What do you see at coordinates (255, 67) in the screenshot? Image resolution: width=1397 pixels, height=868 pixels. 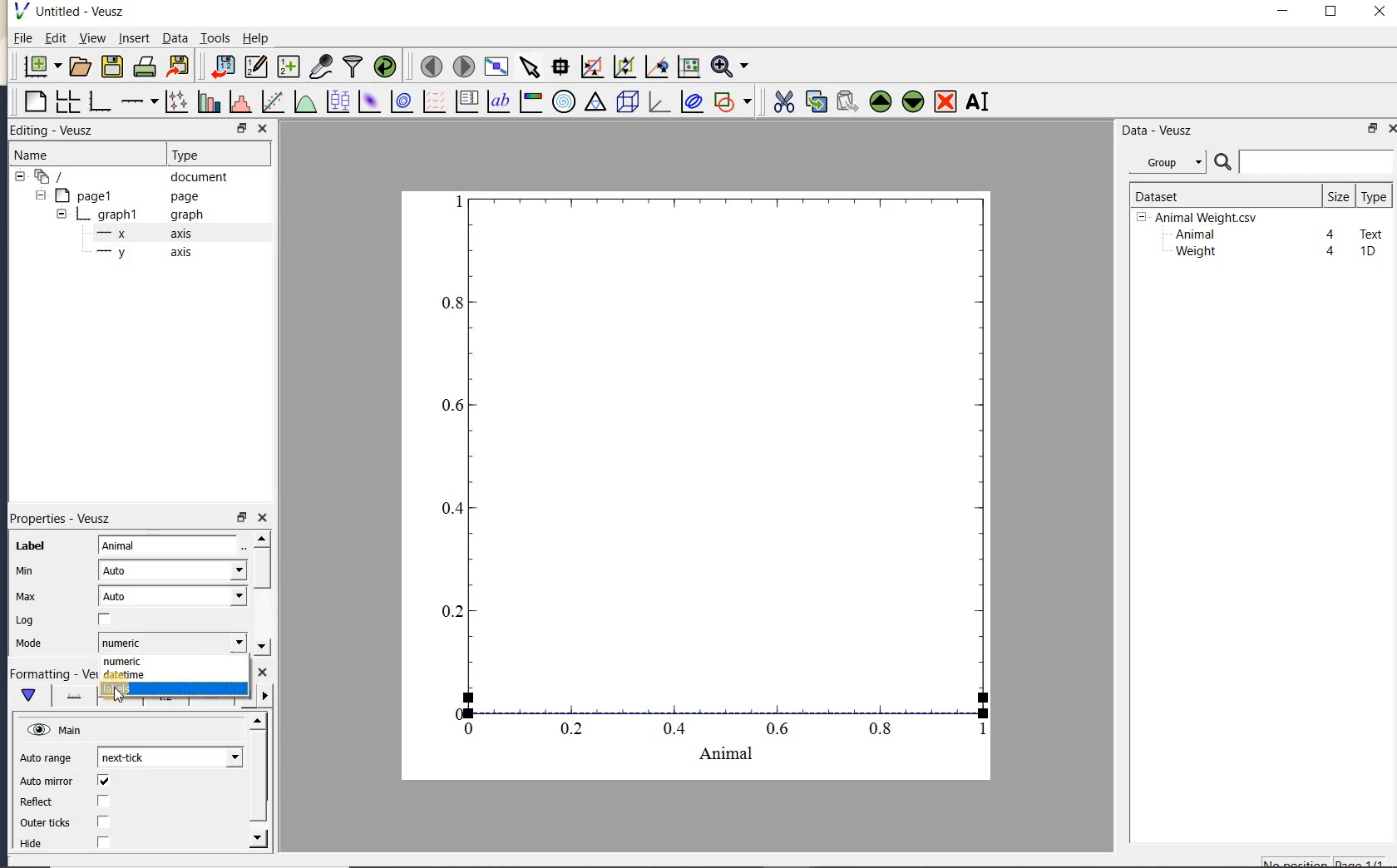 I see `edit and enter new datasets` at bounding box center [255, 67].